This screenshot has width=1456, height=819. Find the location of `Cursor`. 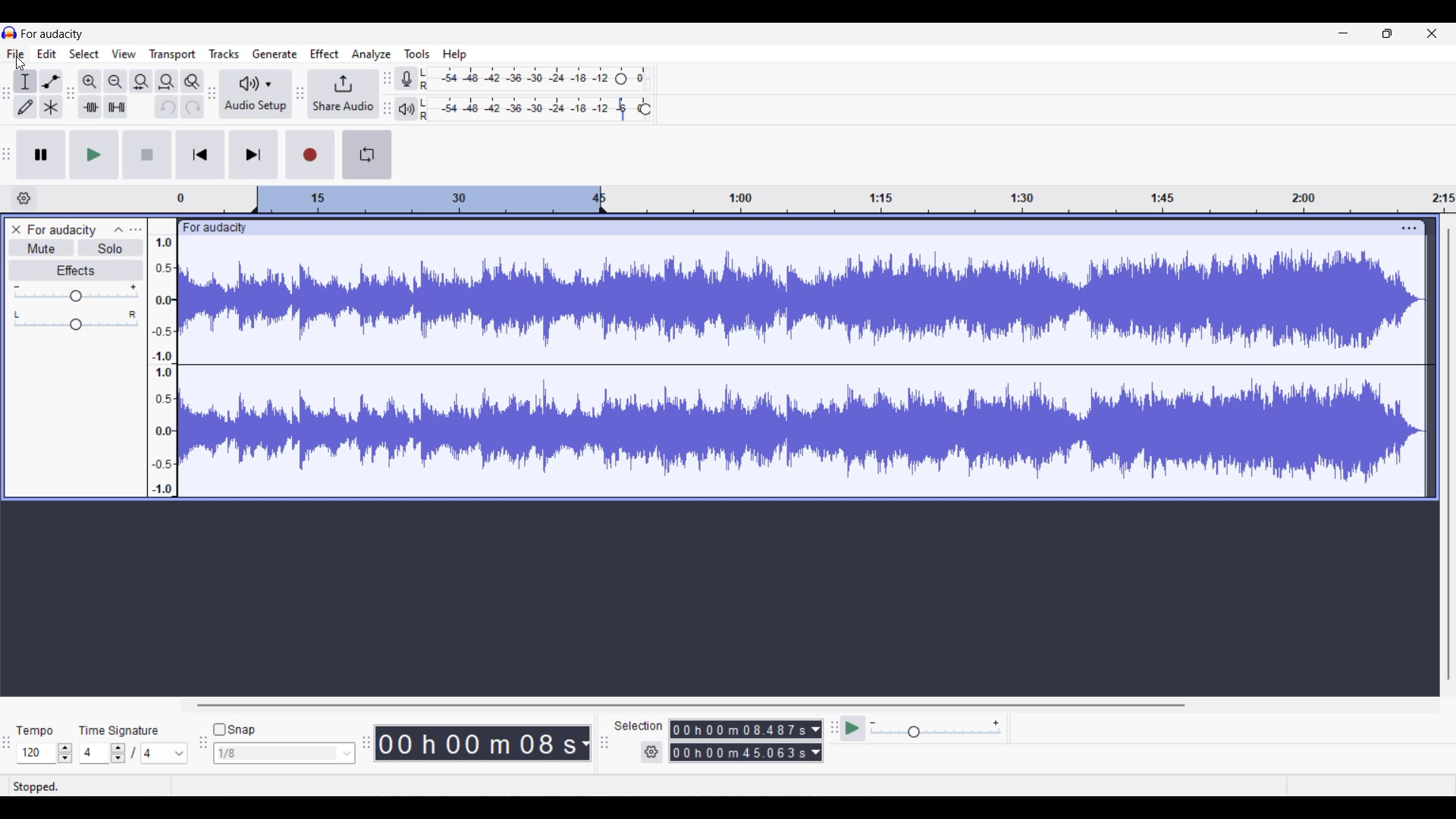

Cursor is located at coordinates (20, 63).